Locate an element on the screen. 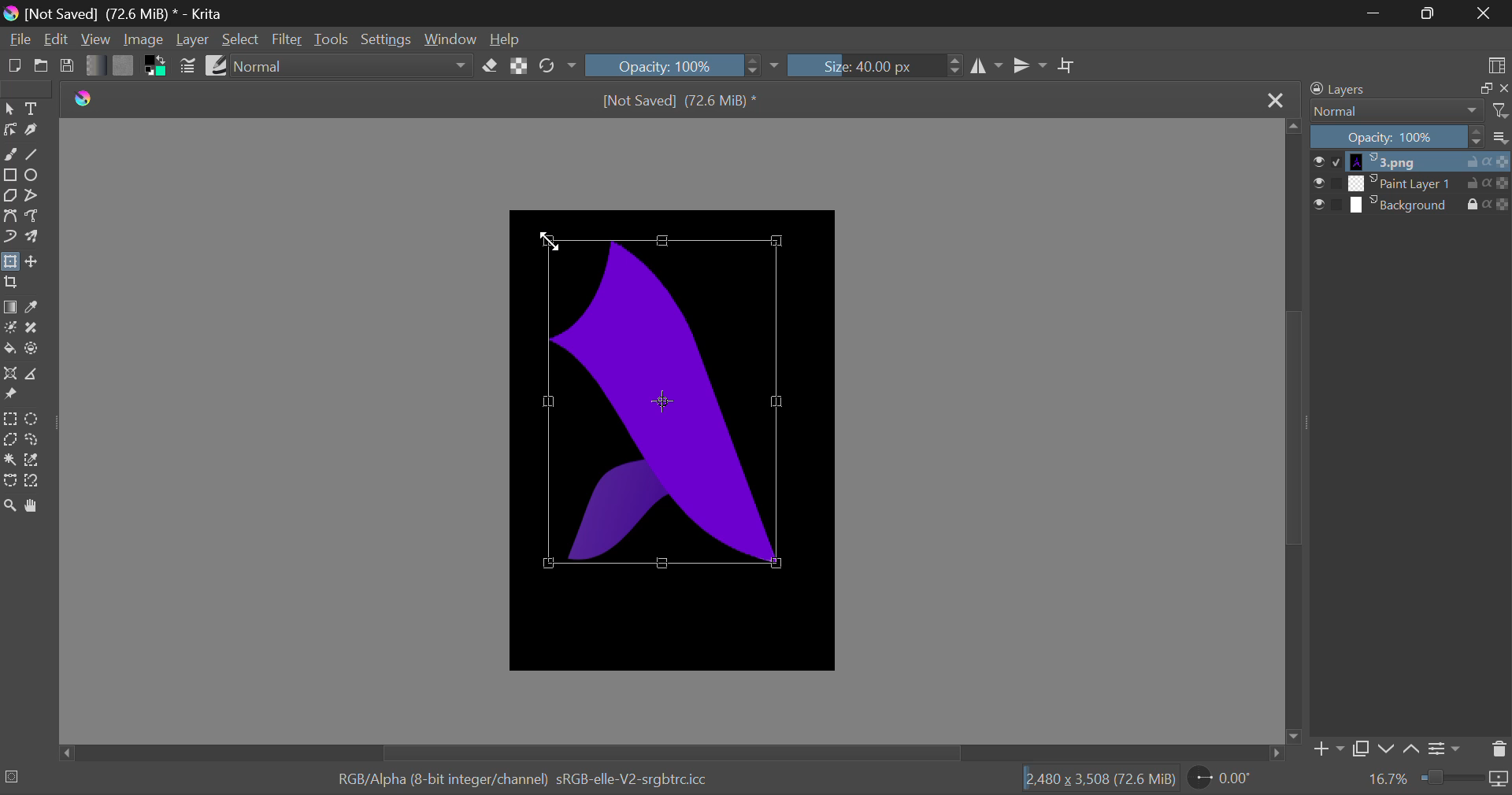  Select is located at coordinates (9, 109).